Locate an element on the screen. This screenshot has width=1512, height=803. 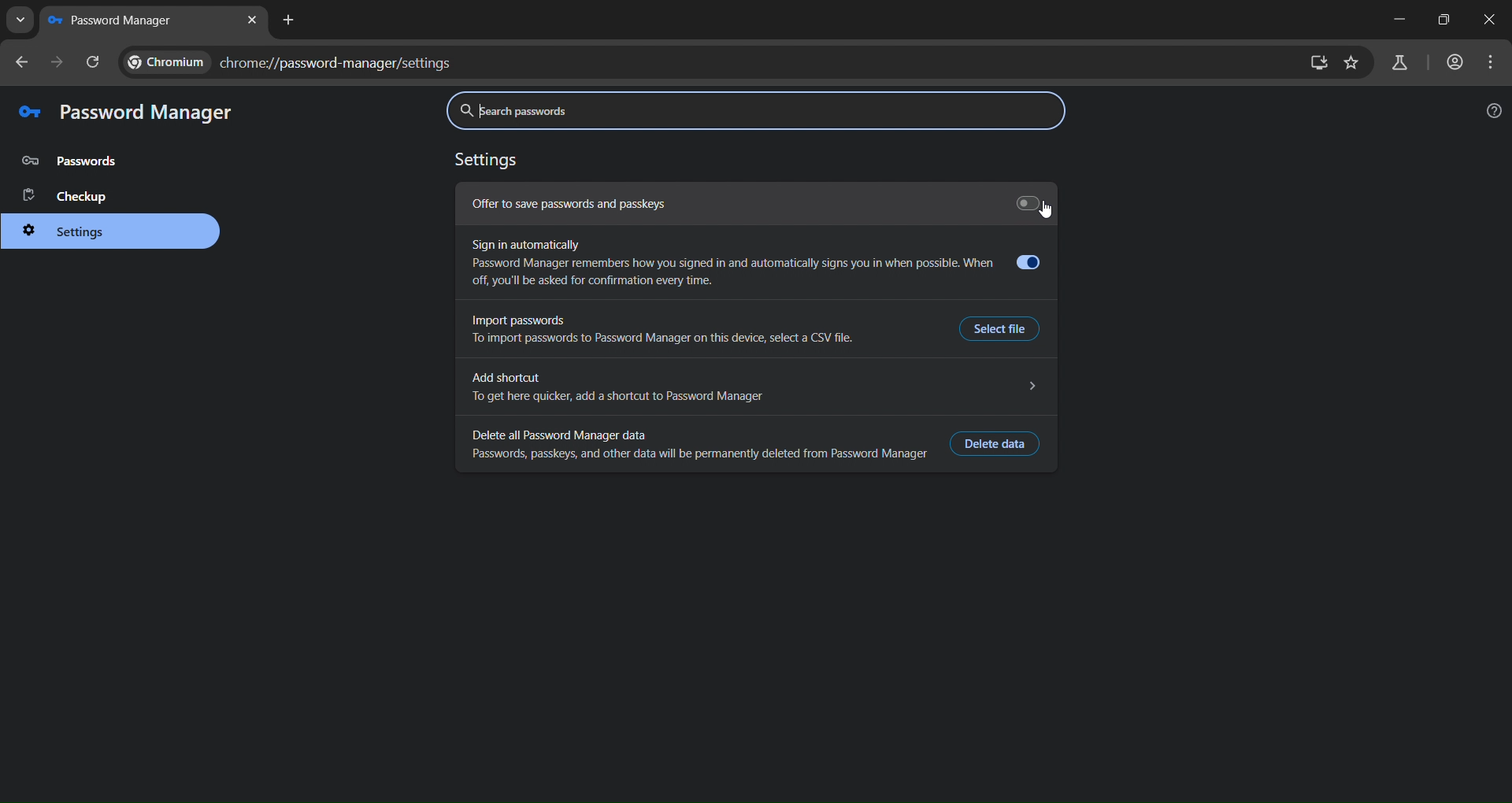
password manager is located at coordinates (129, 113).